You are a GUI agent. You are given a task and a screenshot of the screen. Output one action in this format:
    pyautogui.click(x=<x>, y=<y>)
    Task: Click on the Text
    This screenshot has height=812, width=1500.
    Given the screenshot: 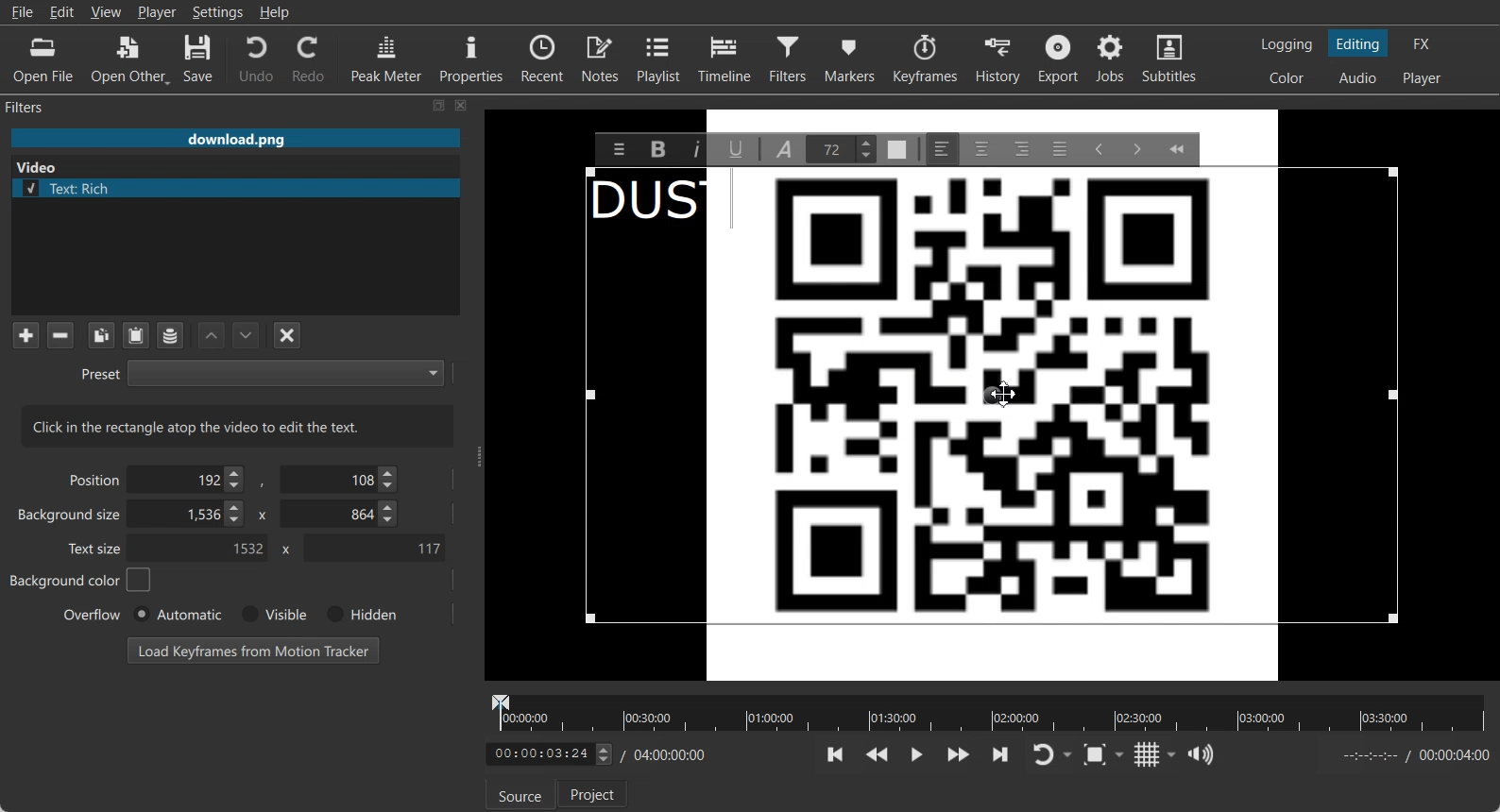 What is the action you would take?
    pyautogui.click(x=238, y=426)
    